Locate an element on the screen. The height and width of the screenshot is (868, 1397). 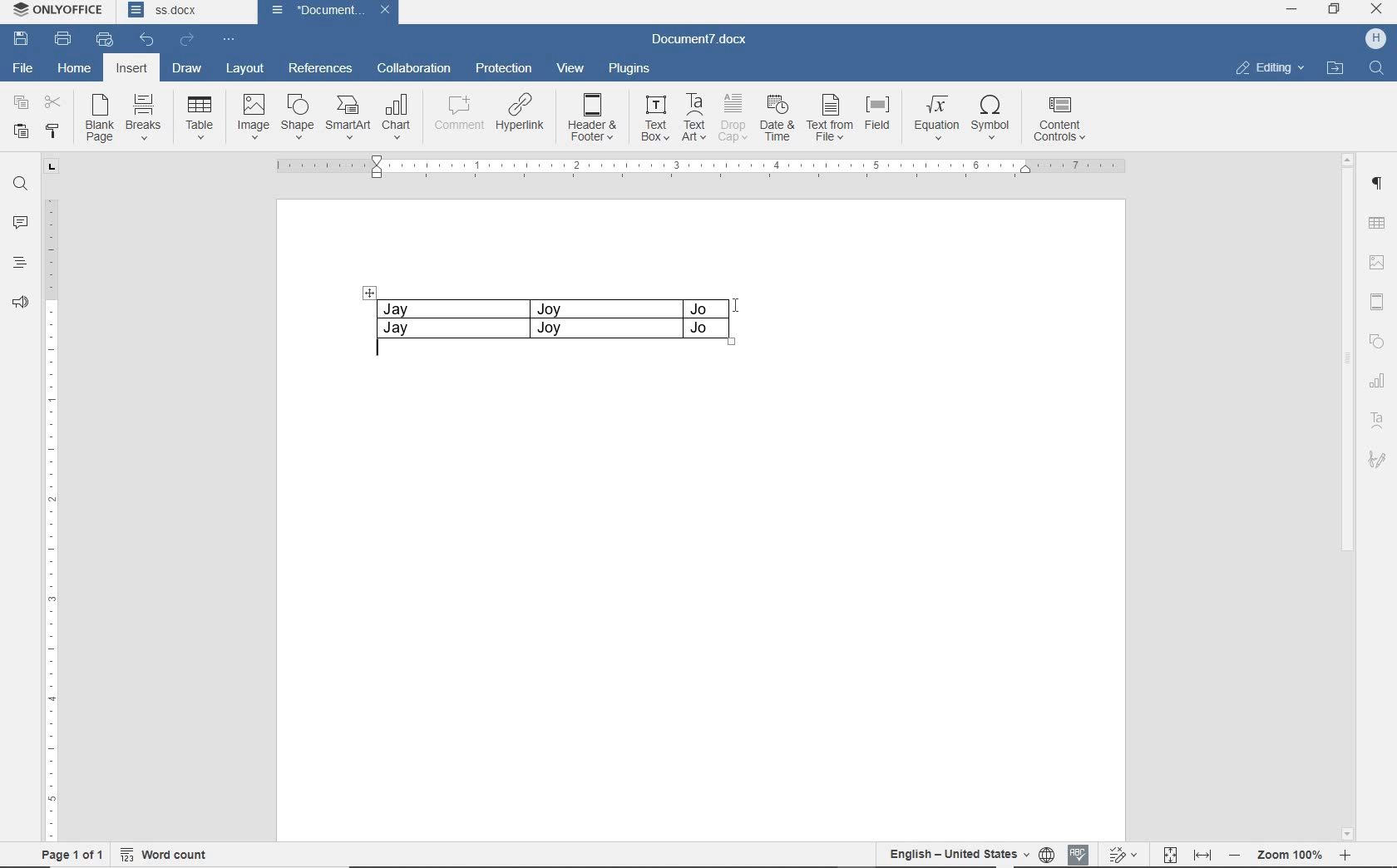
COMMENT is located at coordinates (455, 116).